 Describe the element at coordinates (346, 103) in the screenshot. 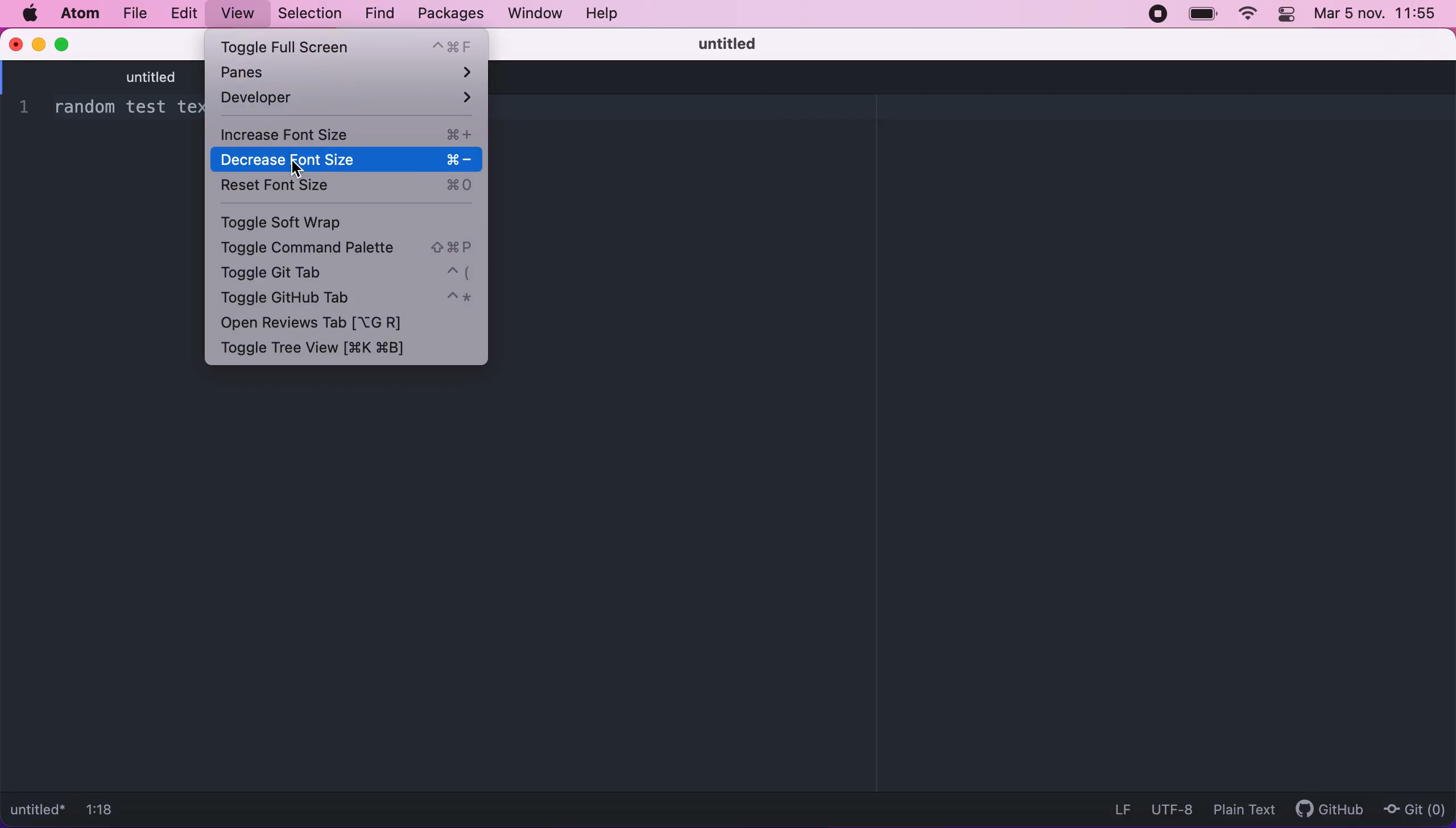

I see `developer` at that location.